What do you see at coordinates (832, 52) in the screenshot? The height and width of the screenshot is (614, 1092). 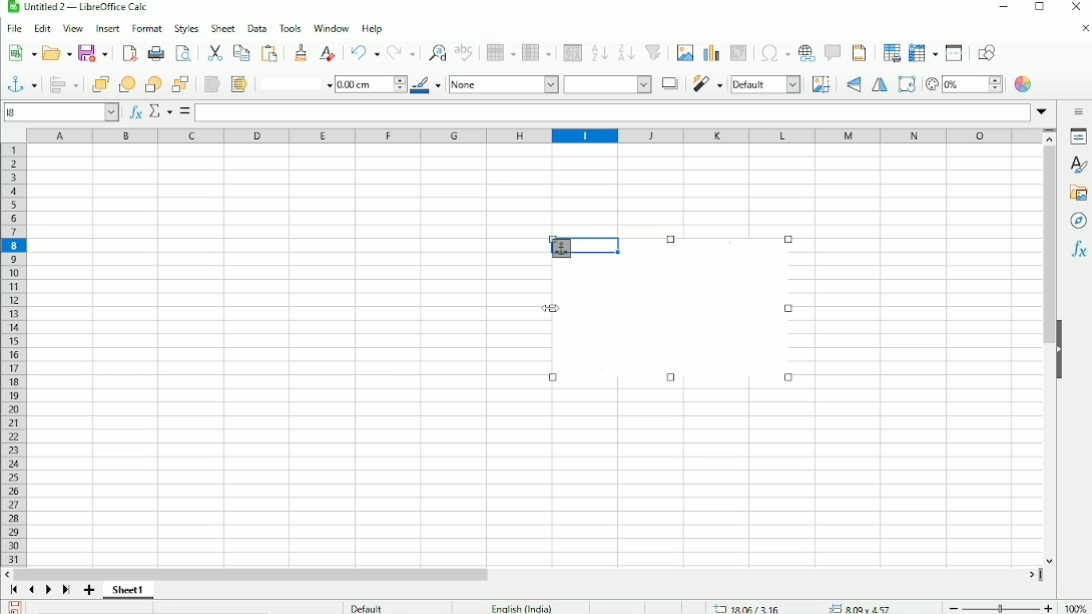 I see `Insert comment` at bounding box center [832, 52].